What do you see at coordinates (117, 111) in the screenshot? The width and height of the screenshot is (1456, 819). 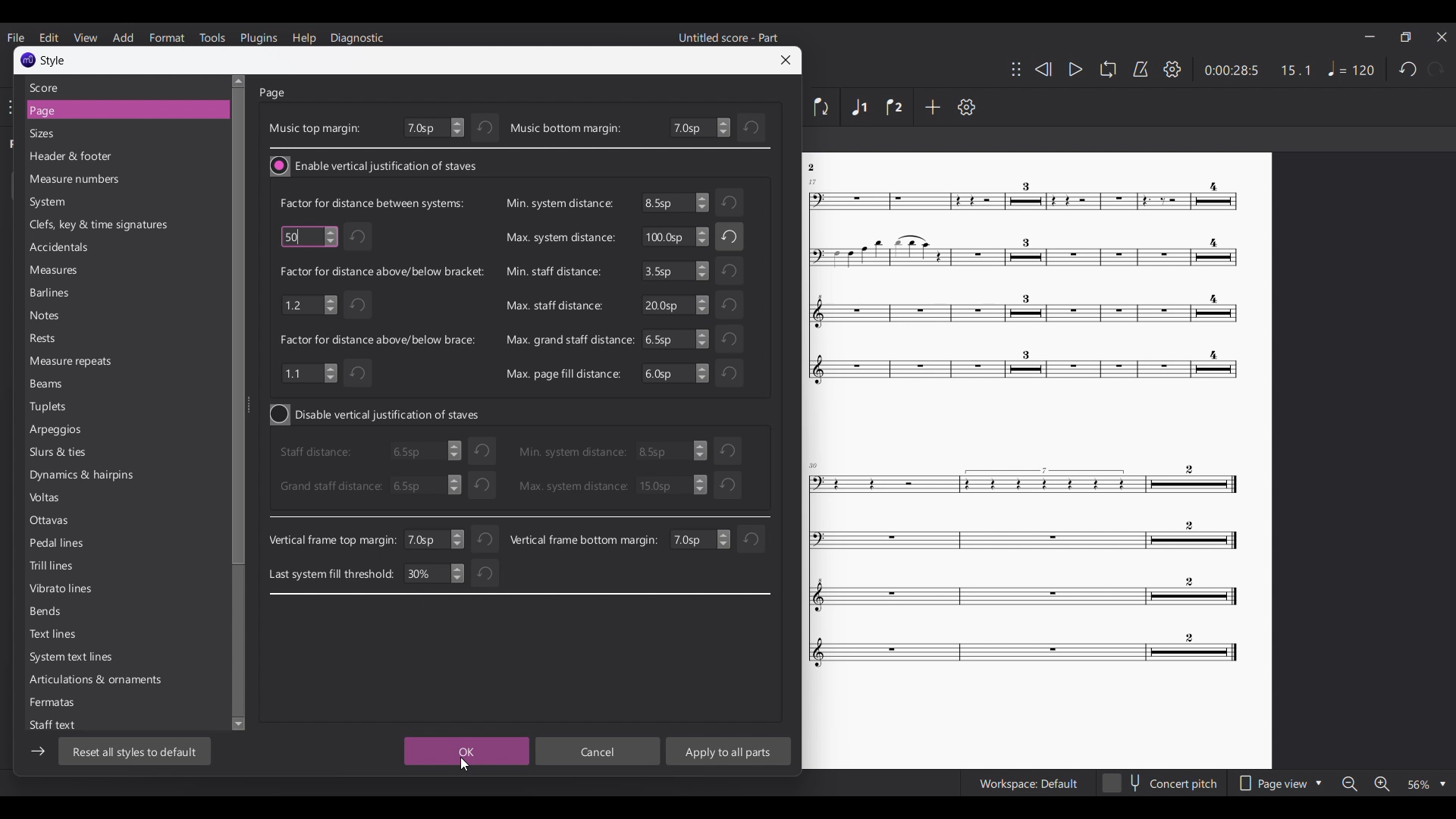 I see `Page` at bounding box center [117, 111].